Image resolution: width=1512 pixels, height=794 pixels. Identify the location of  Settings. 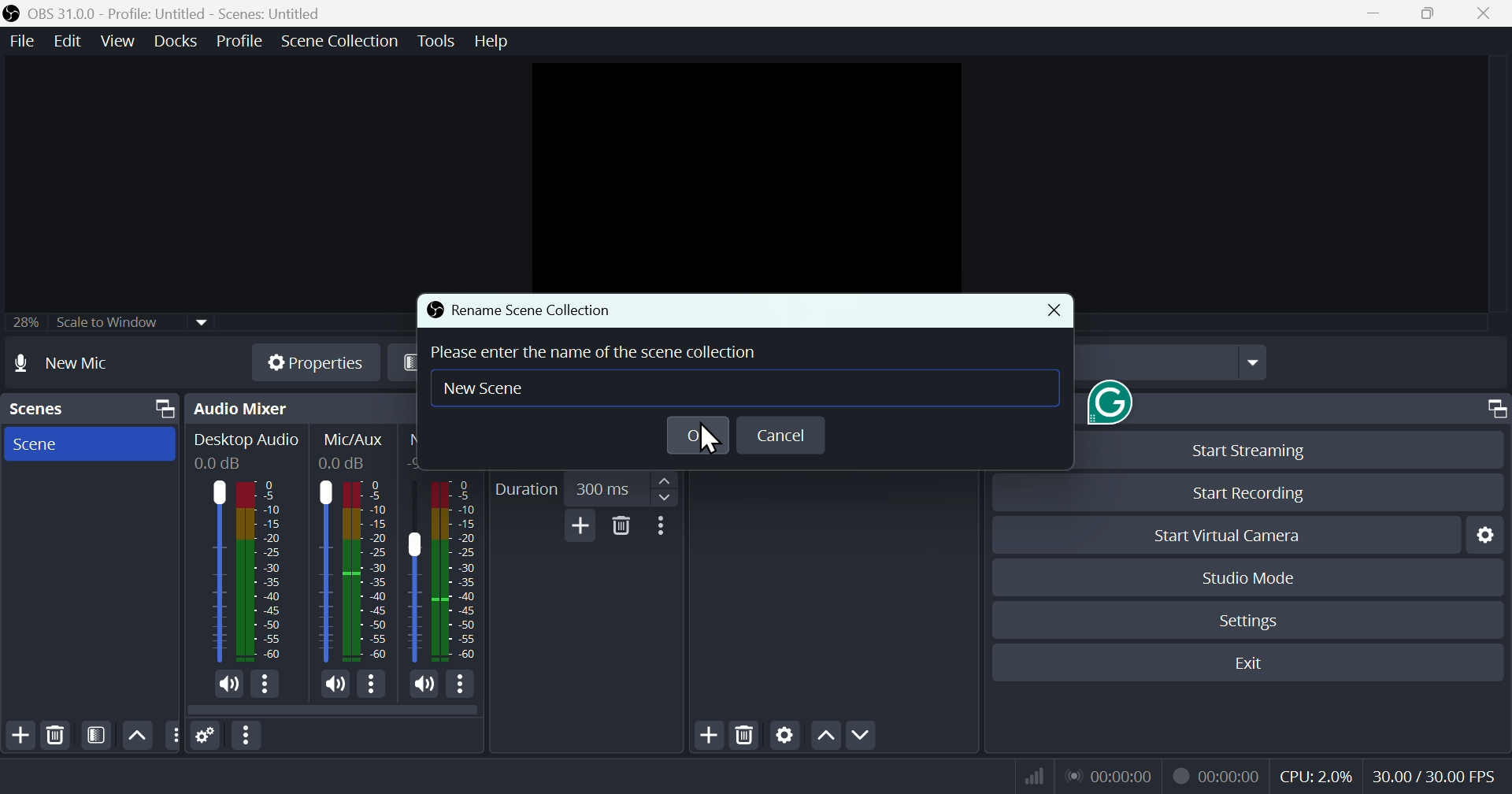
(784, 738).